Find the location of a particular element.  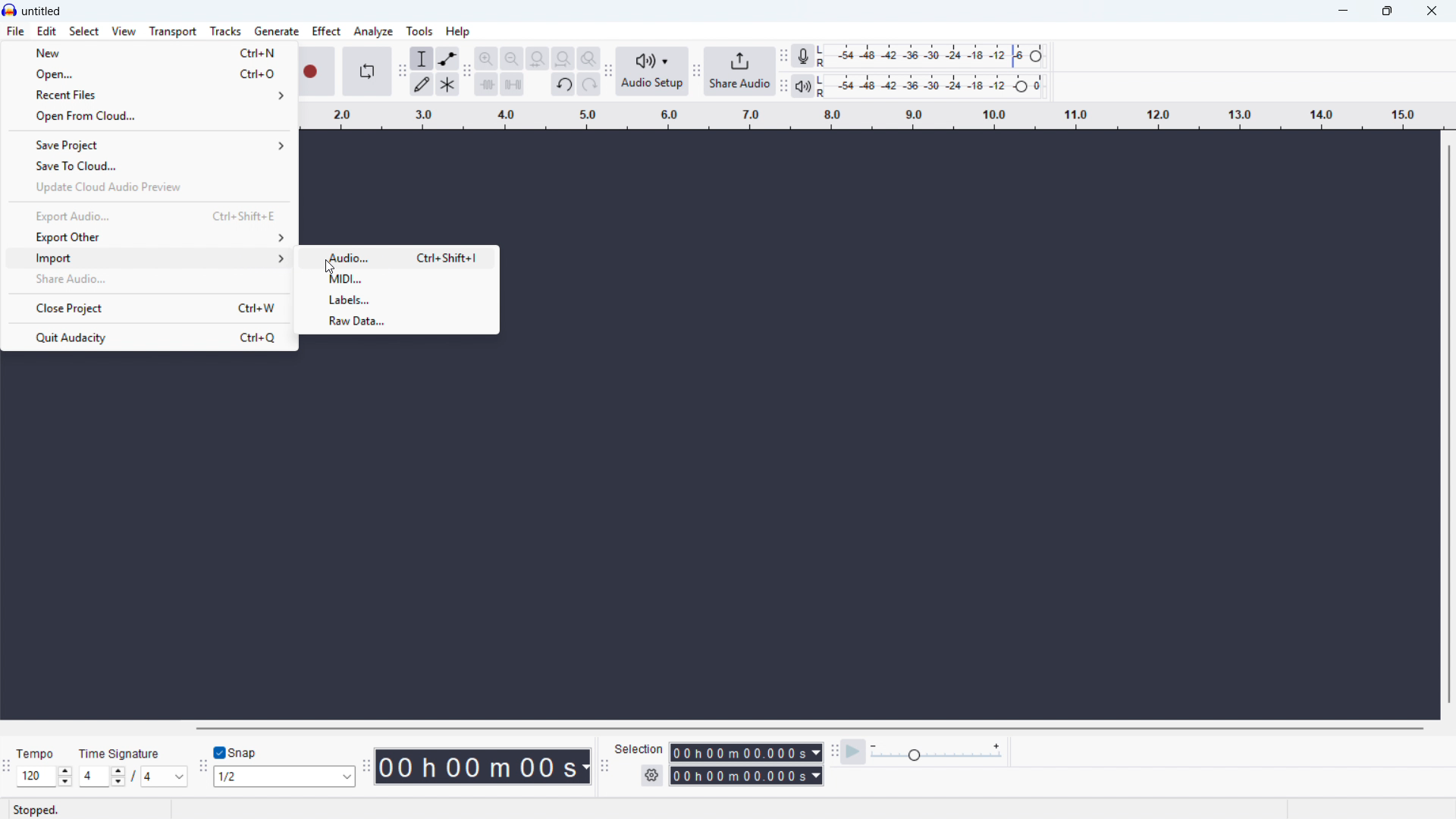

Record  is located at coordinates (318, 71).